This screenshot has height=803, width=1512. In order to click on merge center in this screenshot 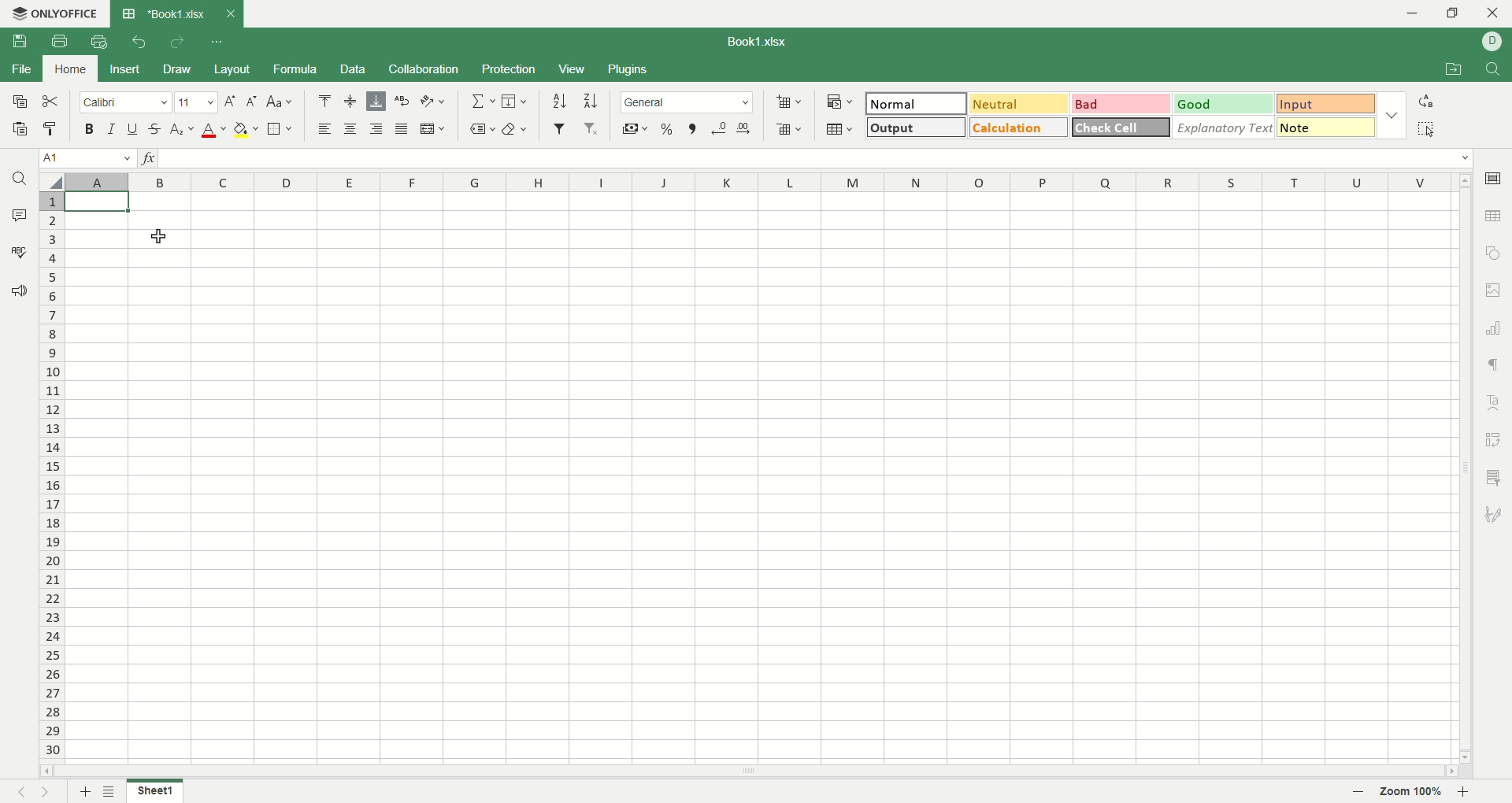, I will do `click(432, 128)`.